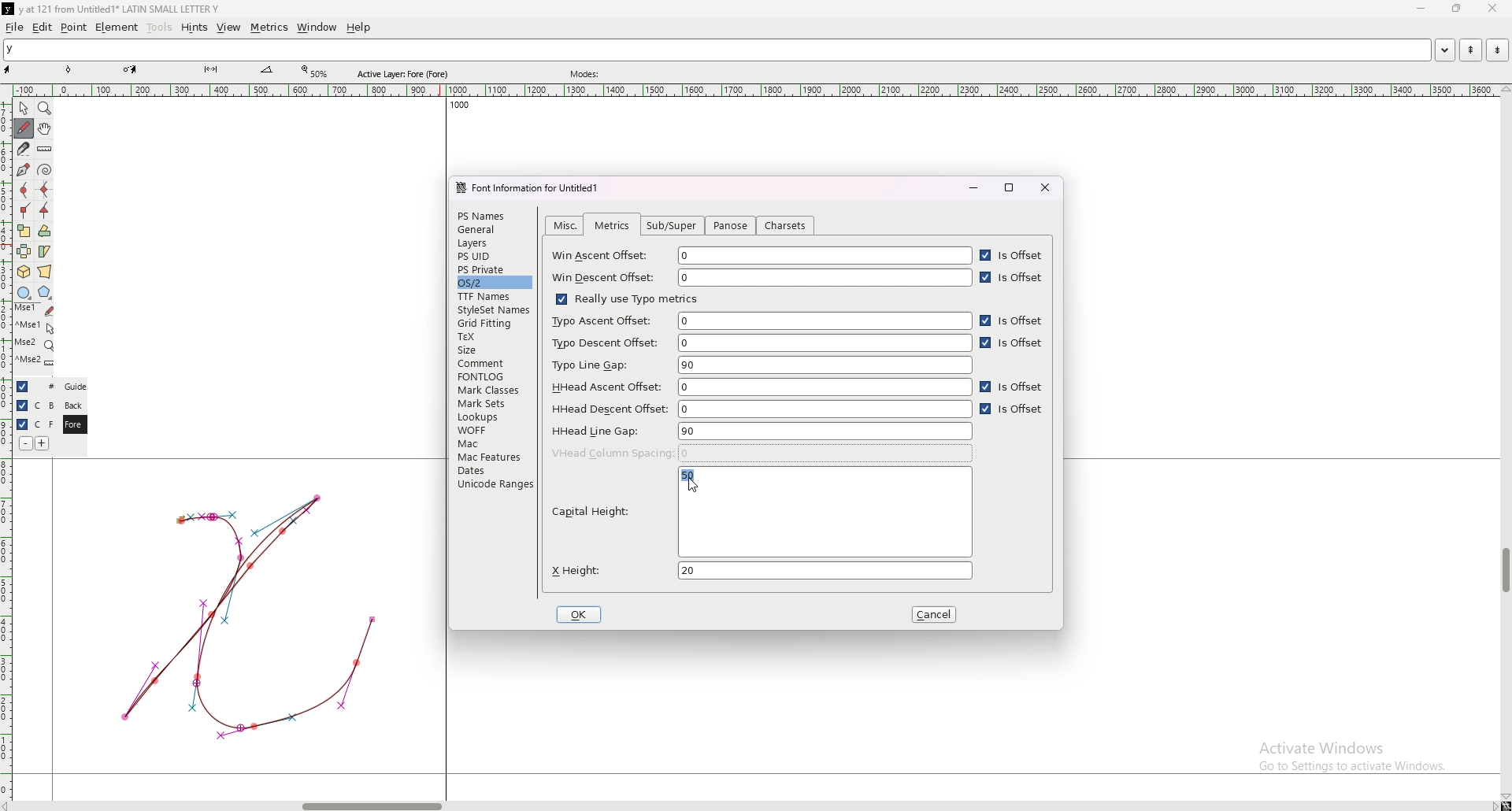 The height and width of the screenshot is (811, 1512). What do you see at coordinates (625, 298) in the screenshot?
I see `really use typo metrics` at bounding box center [625, 298].